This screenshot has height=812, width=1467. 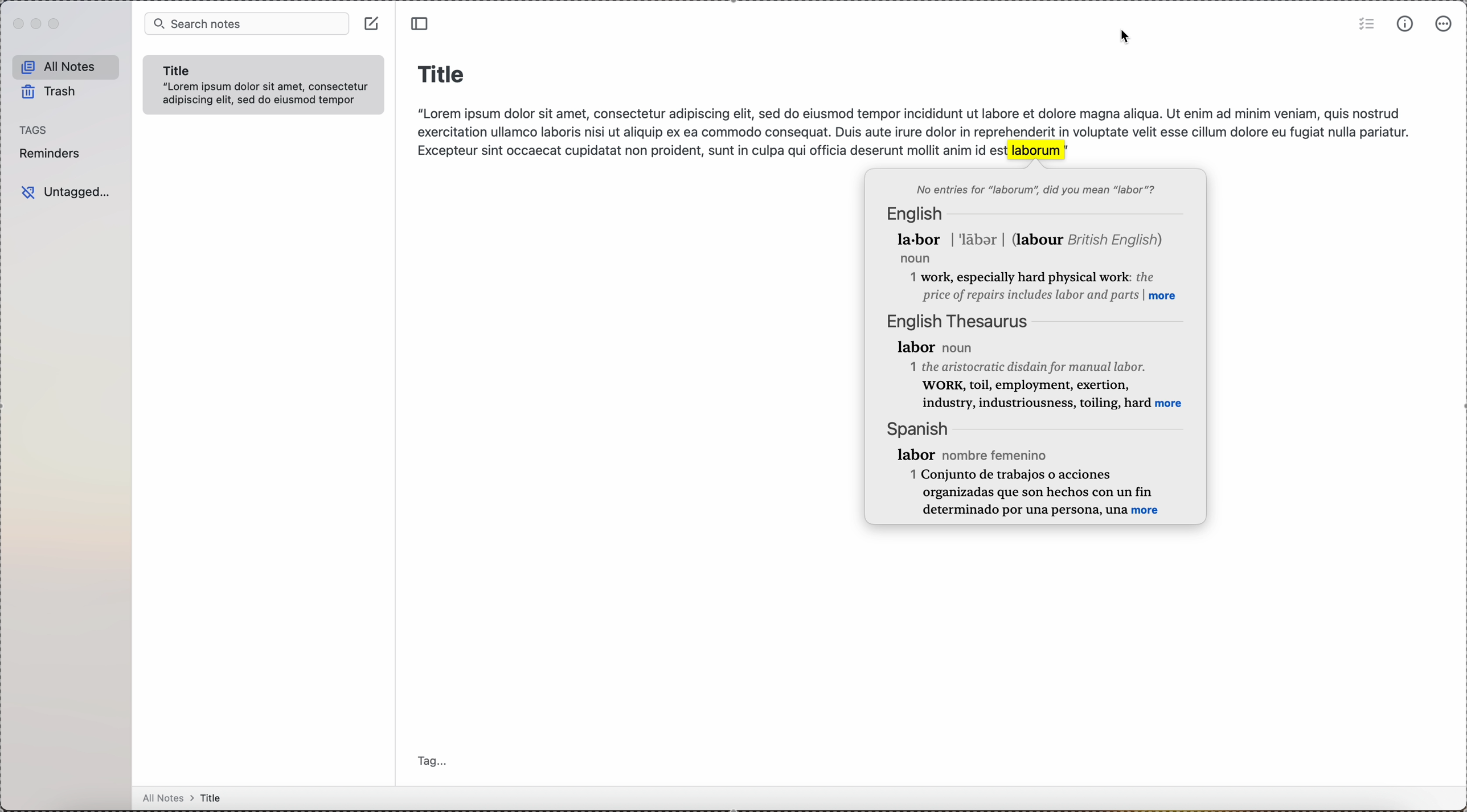 I want to click on tags, so click(x=36, y=130).